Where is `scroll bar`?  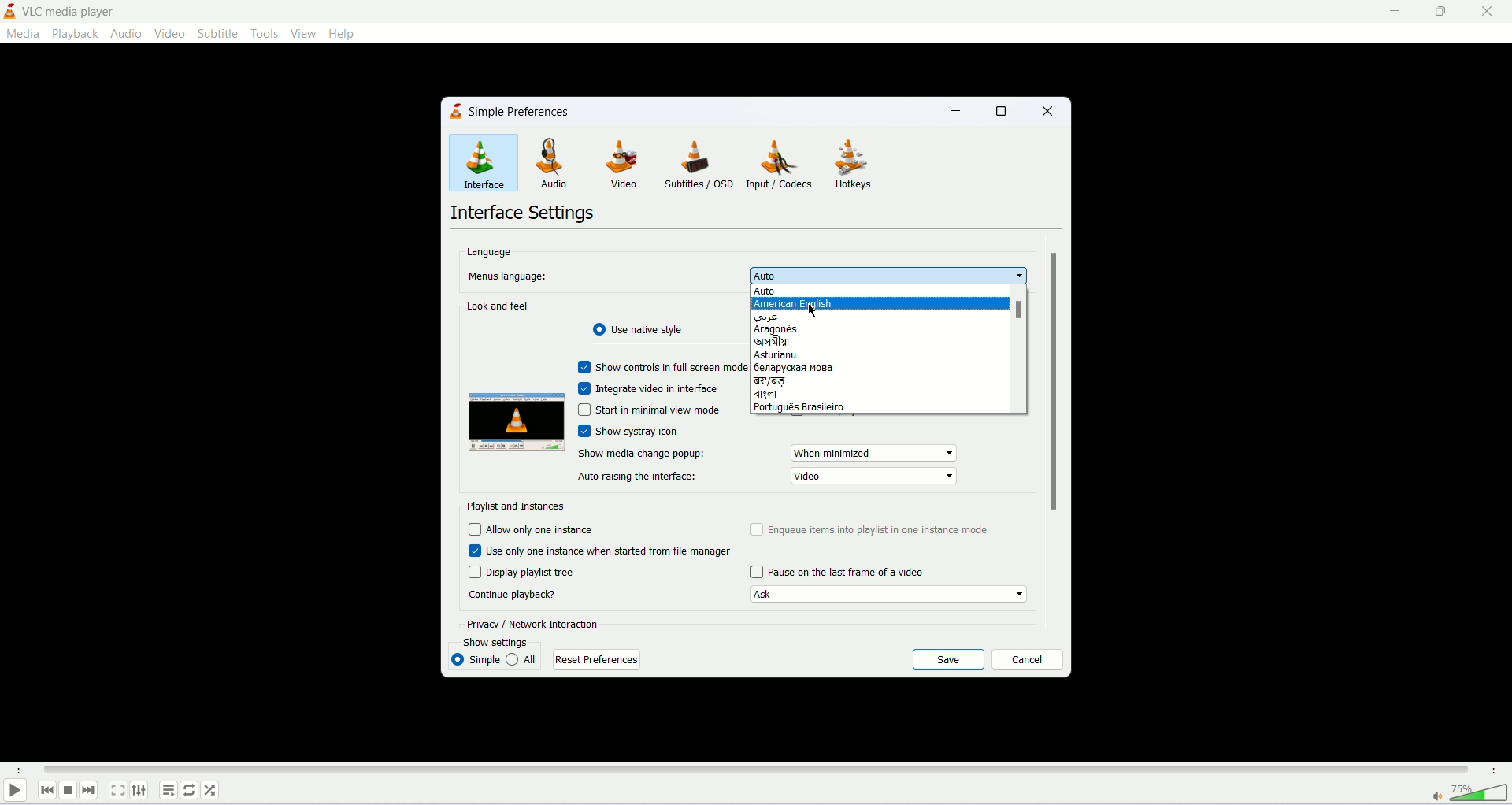 scroll bar is located at coordinates (1052, 380).